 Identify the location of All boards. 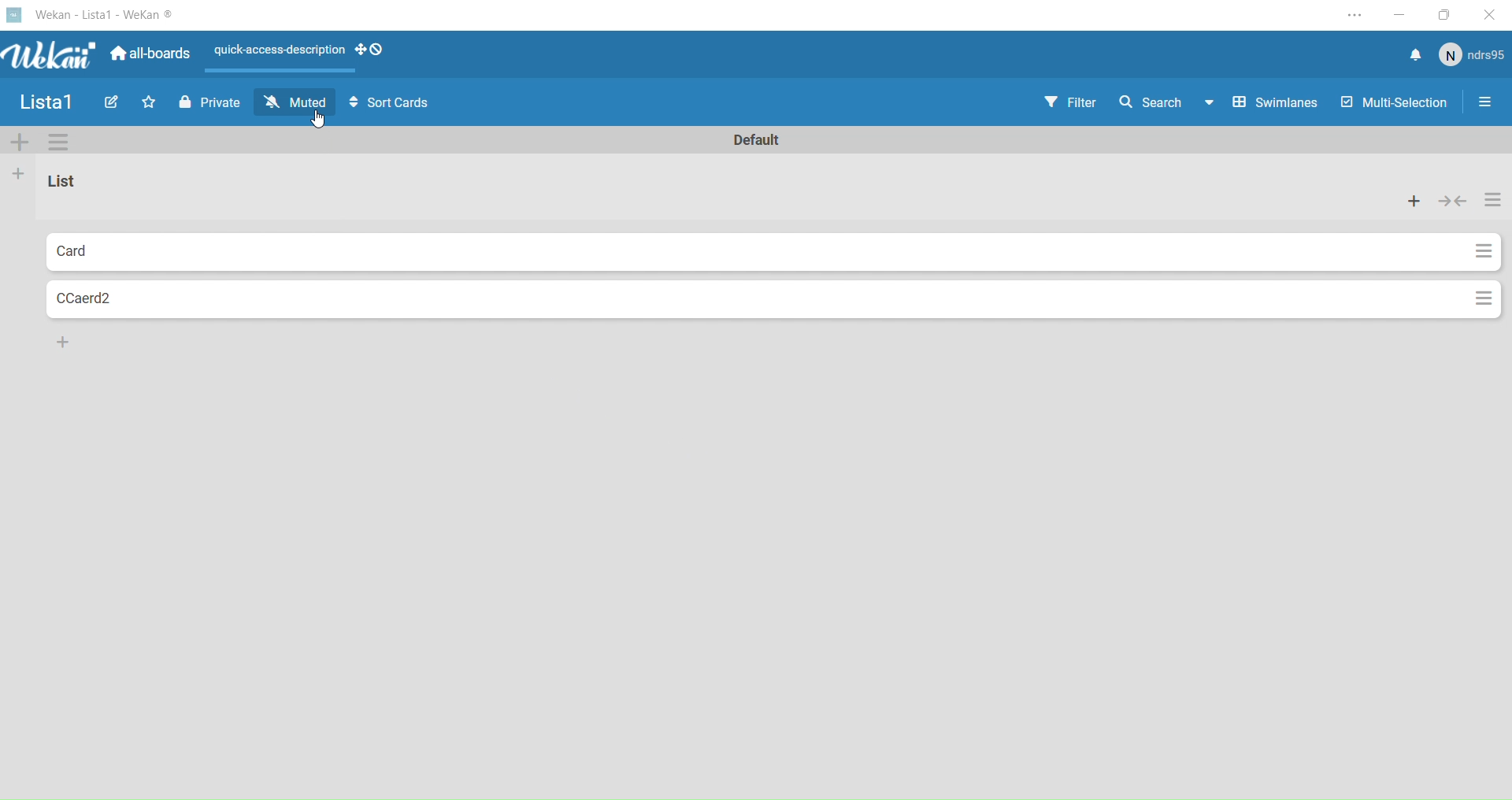
(152, 56).